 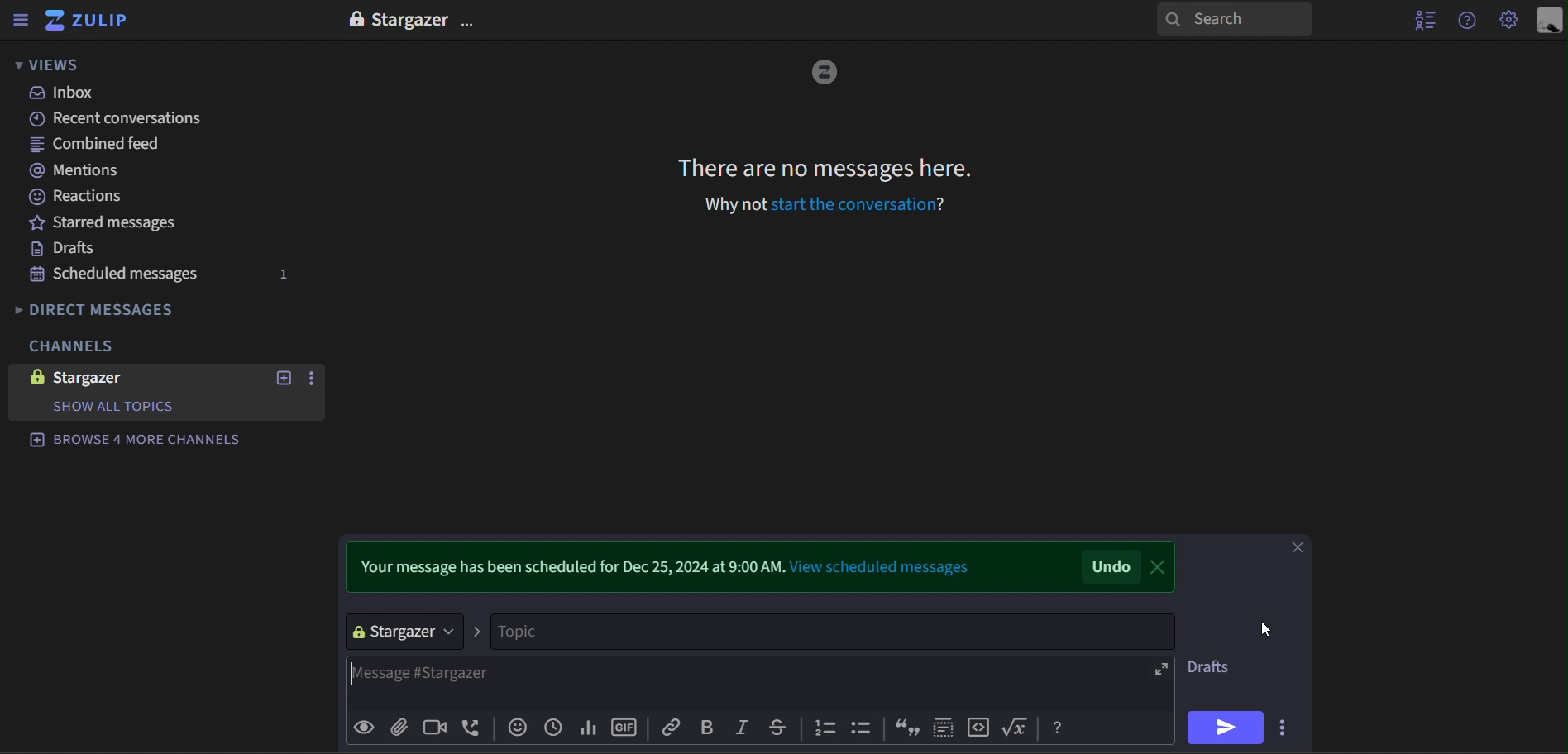 What do you see at coordinates (437, 728) in the screenshot?
I see `add video call` at bounding box center [437, 728].